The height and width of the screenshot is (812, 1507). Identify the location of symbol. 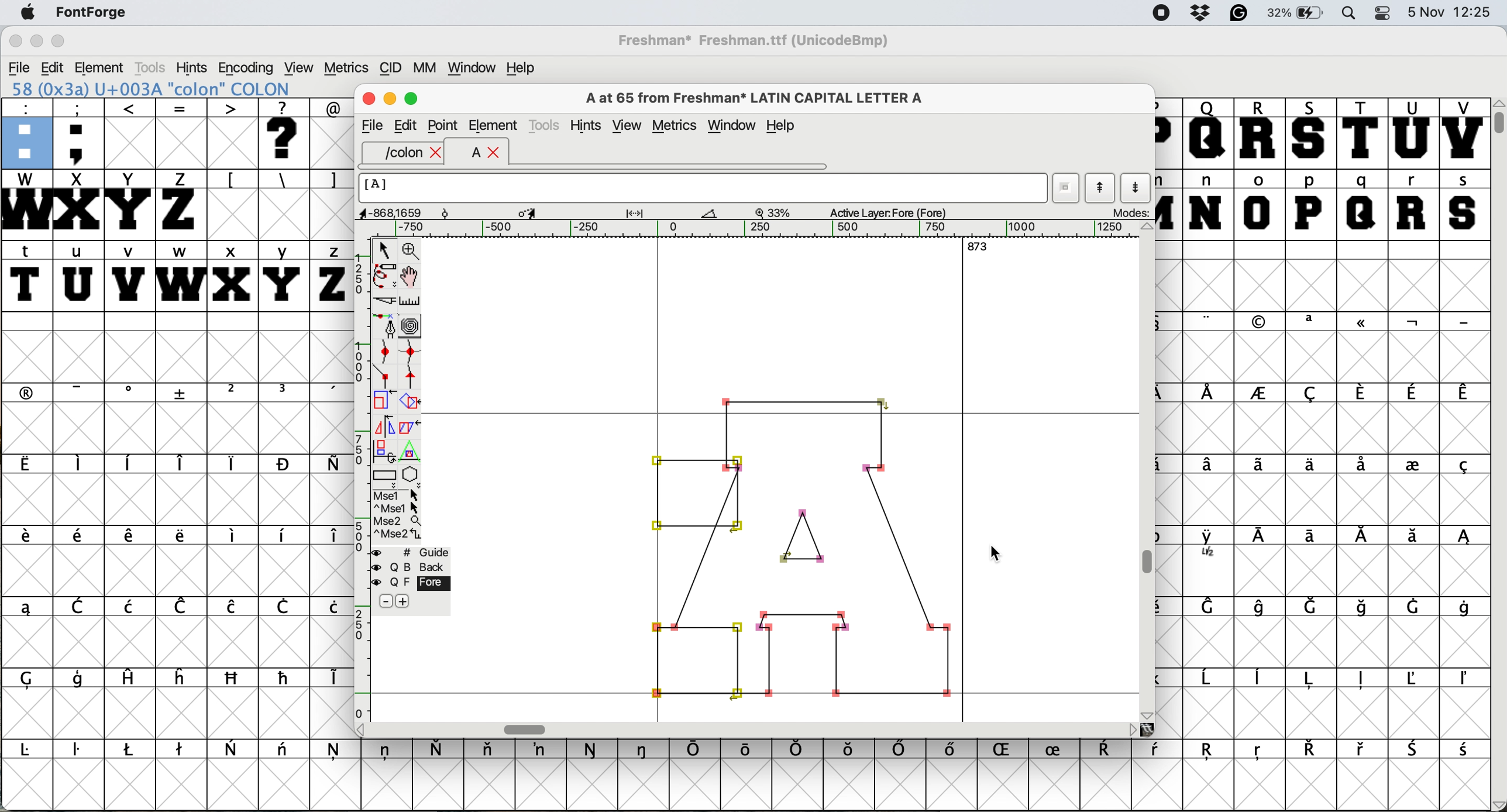
(593, 749).